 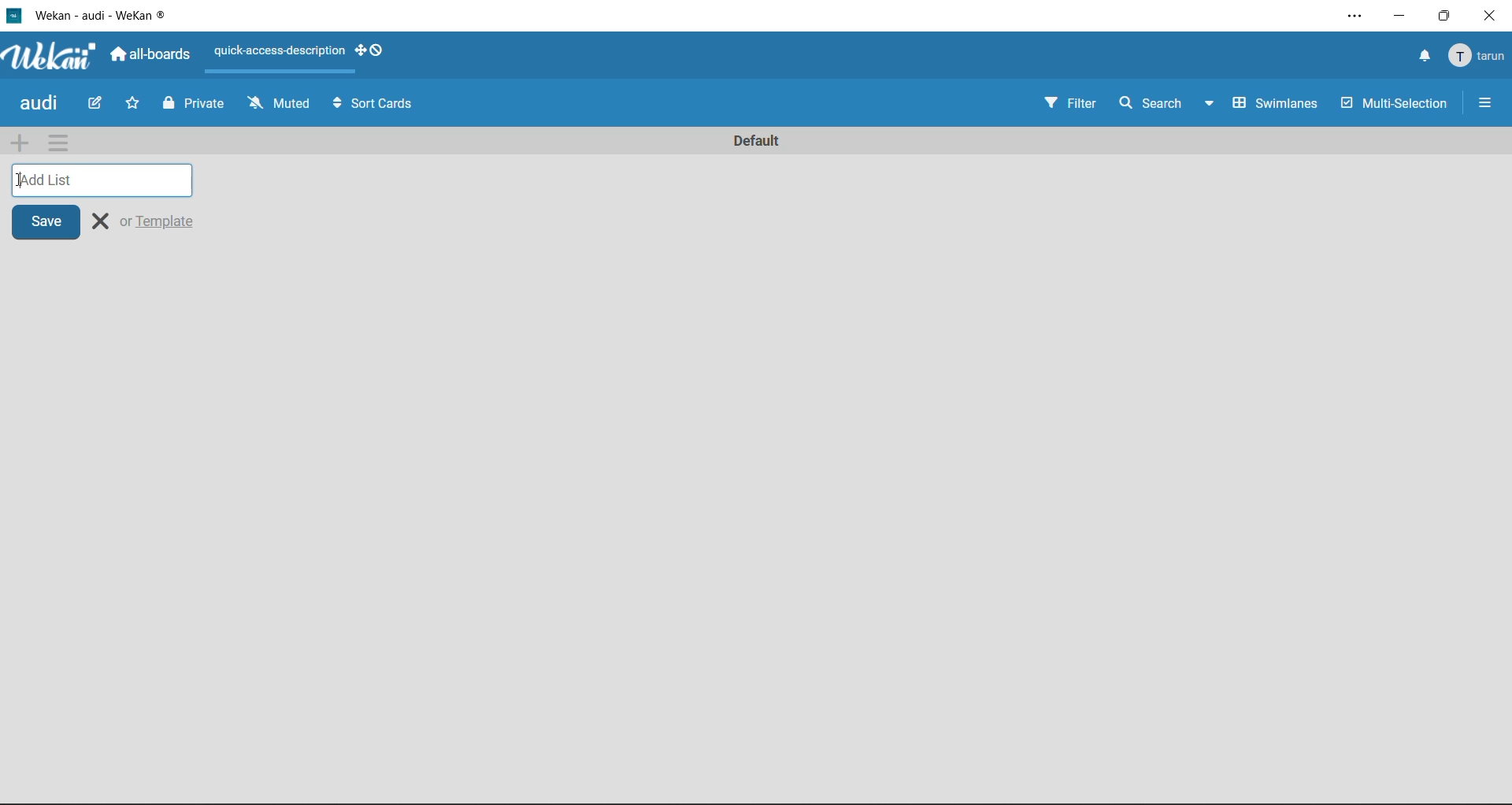 What do you see at coordinates (93, 14) in the screenshot?
I see `Wekan - audi - WeKan` at bounding box center [93, 14].